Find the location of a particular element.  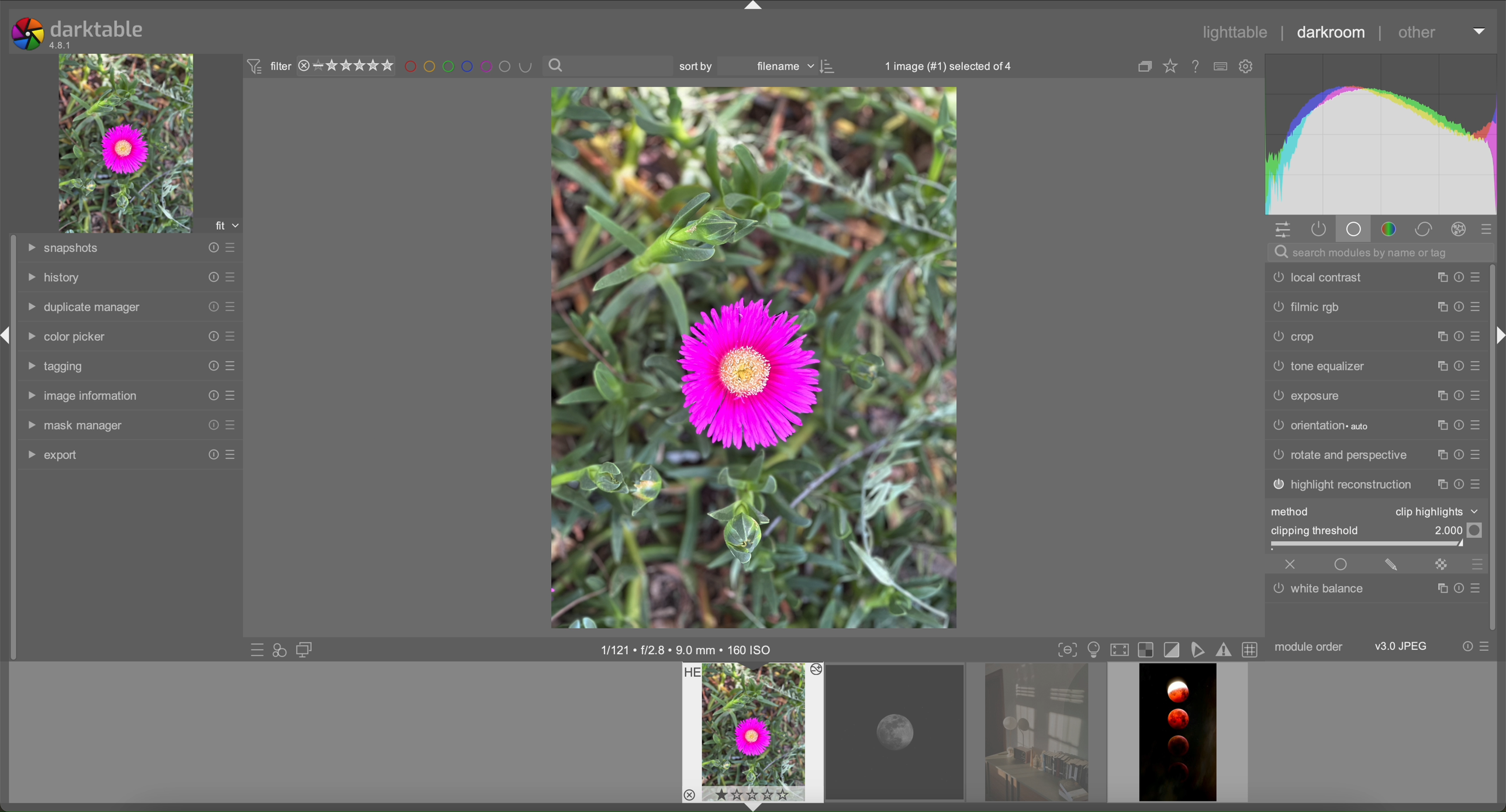

reset presets is located at coordinates (212, 277).